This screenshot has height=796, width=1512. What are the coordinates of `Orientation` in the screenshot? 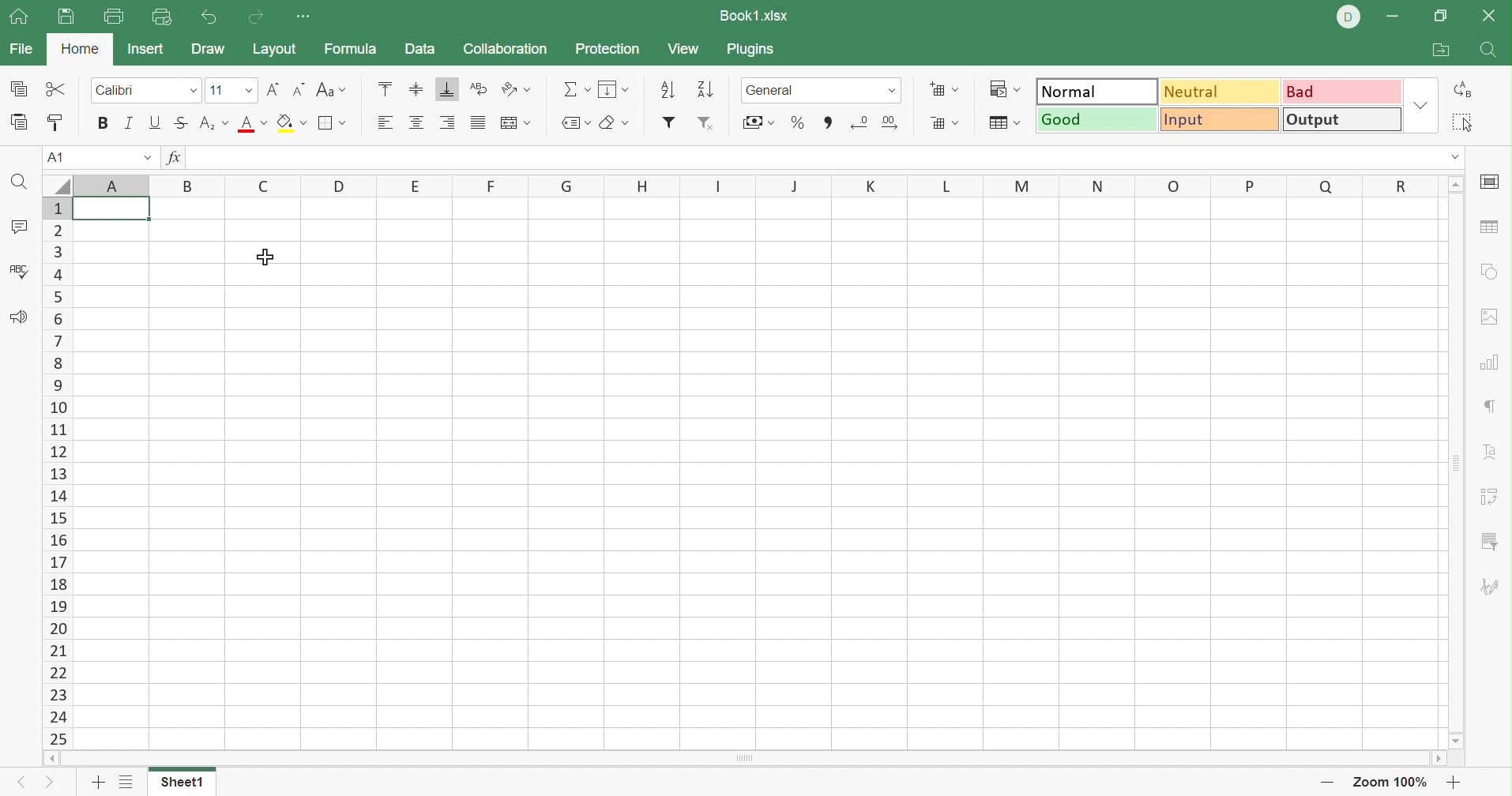 It's located at (515, 88).